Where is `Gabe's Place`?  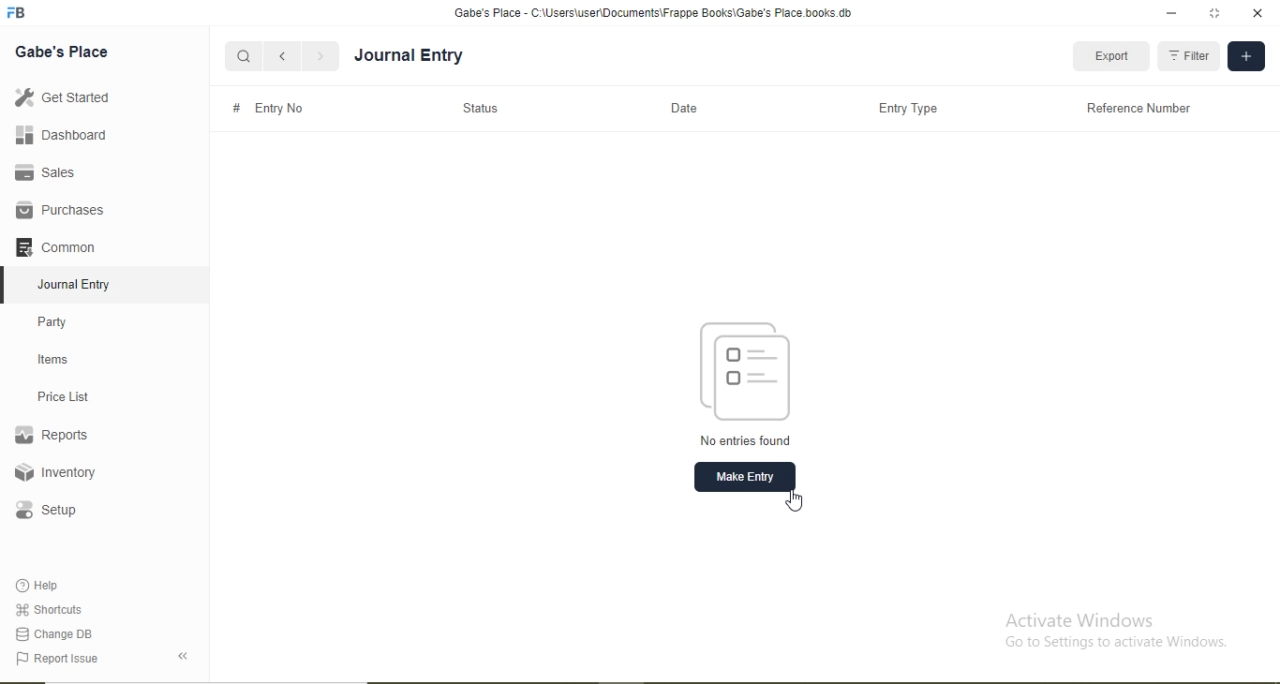
Gabe's Place is located at coordinates (62, 52).